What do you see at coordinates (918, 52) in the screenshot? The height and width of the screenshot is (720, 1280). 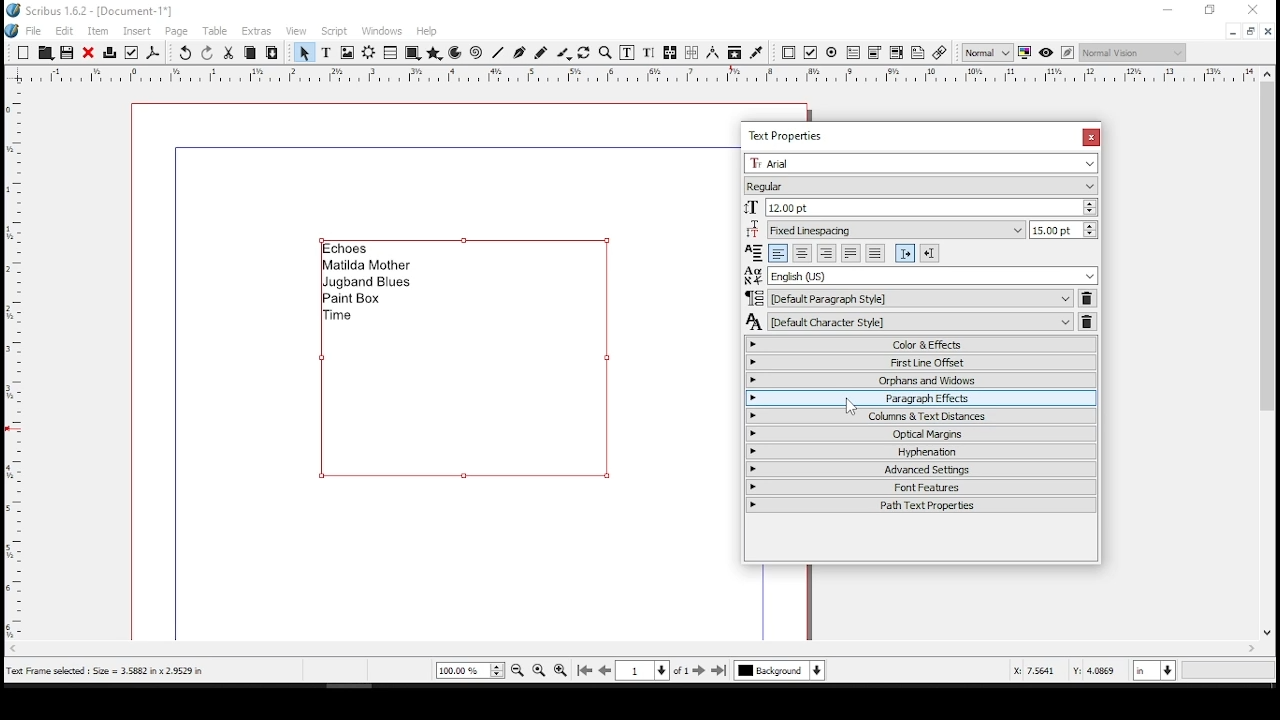 I see `text annotation` at bounding box center [918, 52].